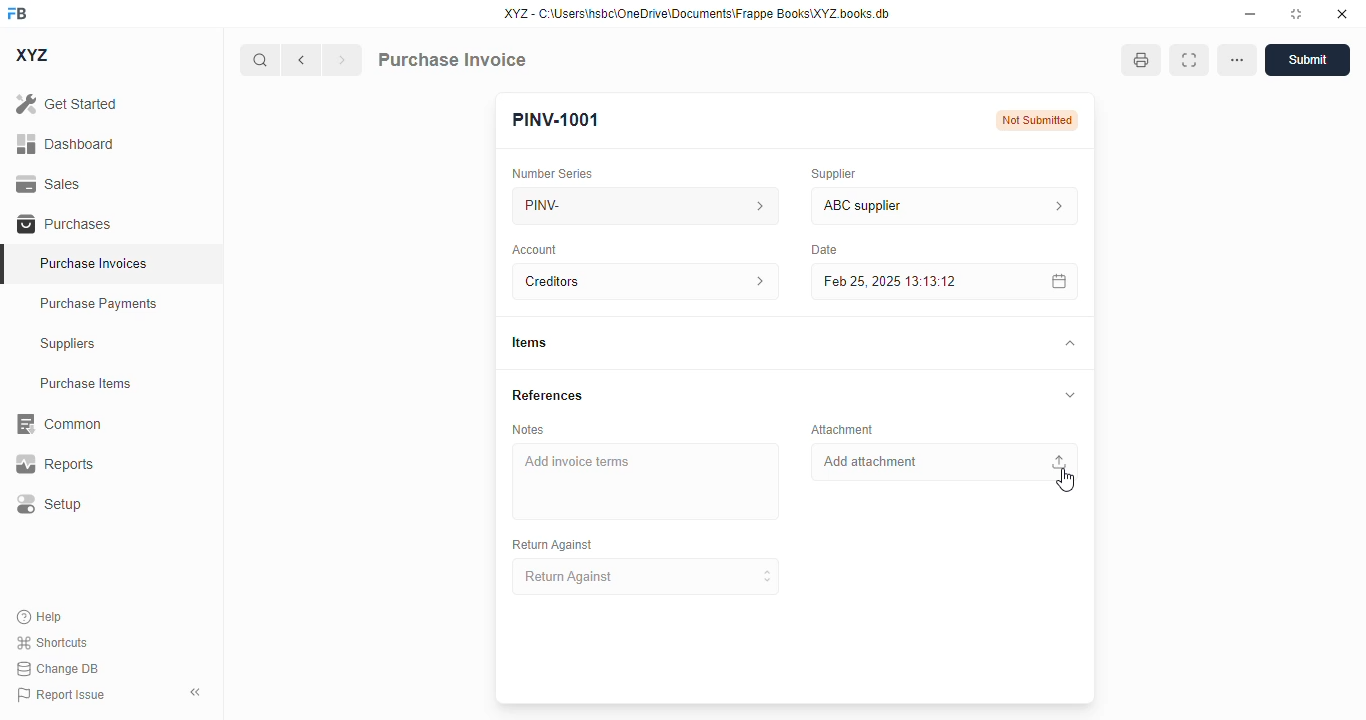  Describe the element at coordinates (1295, 13) in the screenshot. I see `toggle maximize` at that location.